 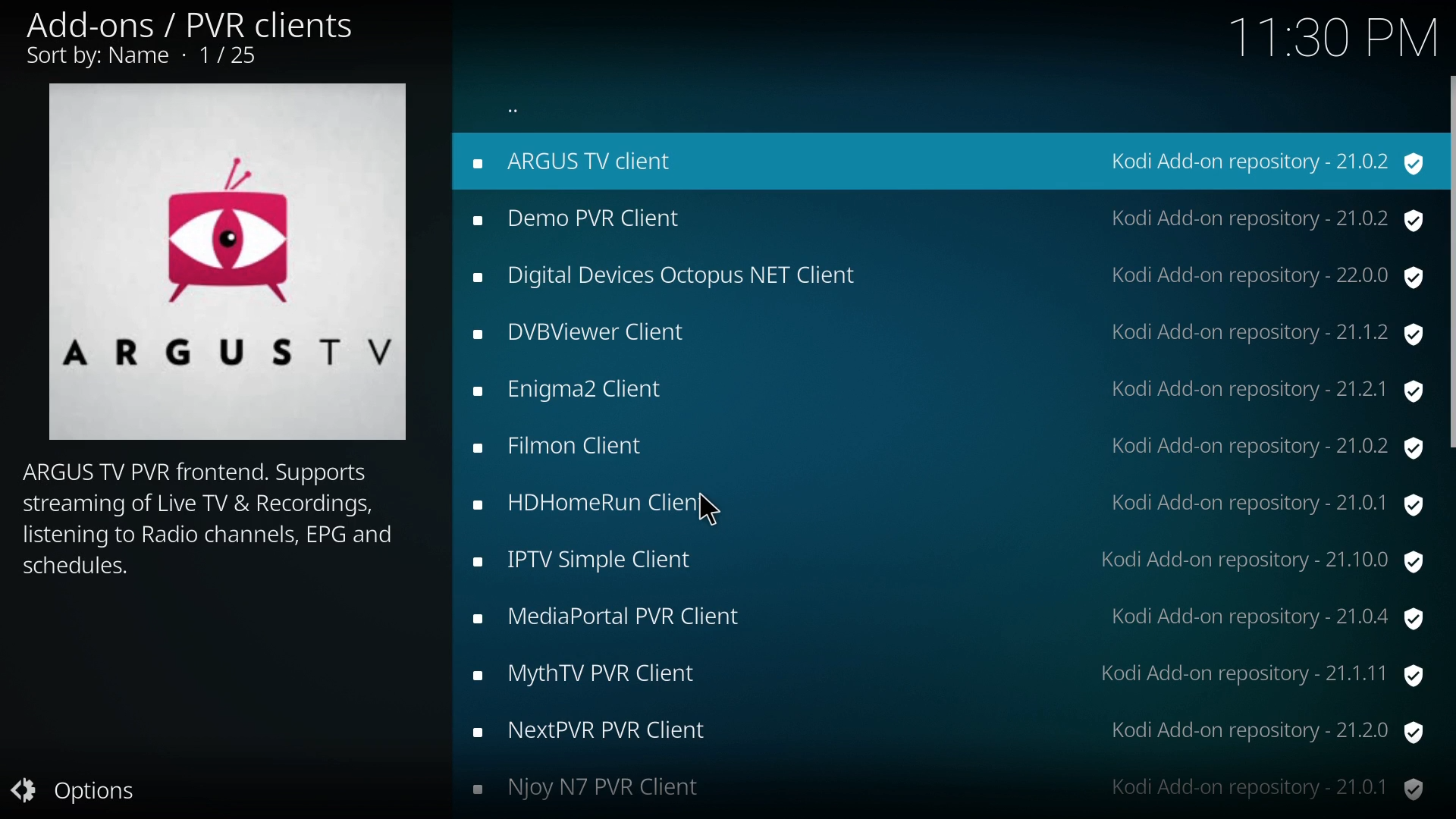 I want to click on HDHomeRun Client Kodi Add-on repository - 21.0.1, so click(x=943, y=505).